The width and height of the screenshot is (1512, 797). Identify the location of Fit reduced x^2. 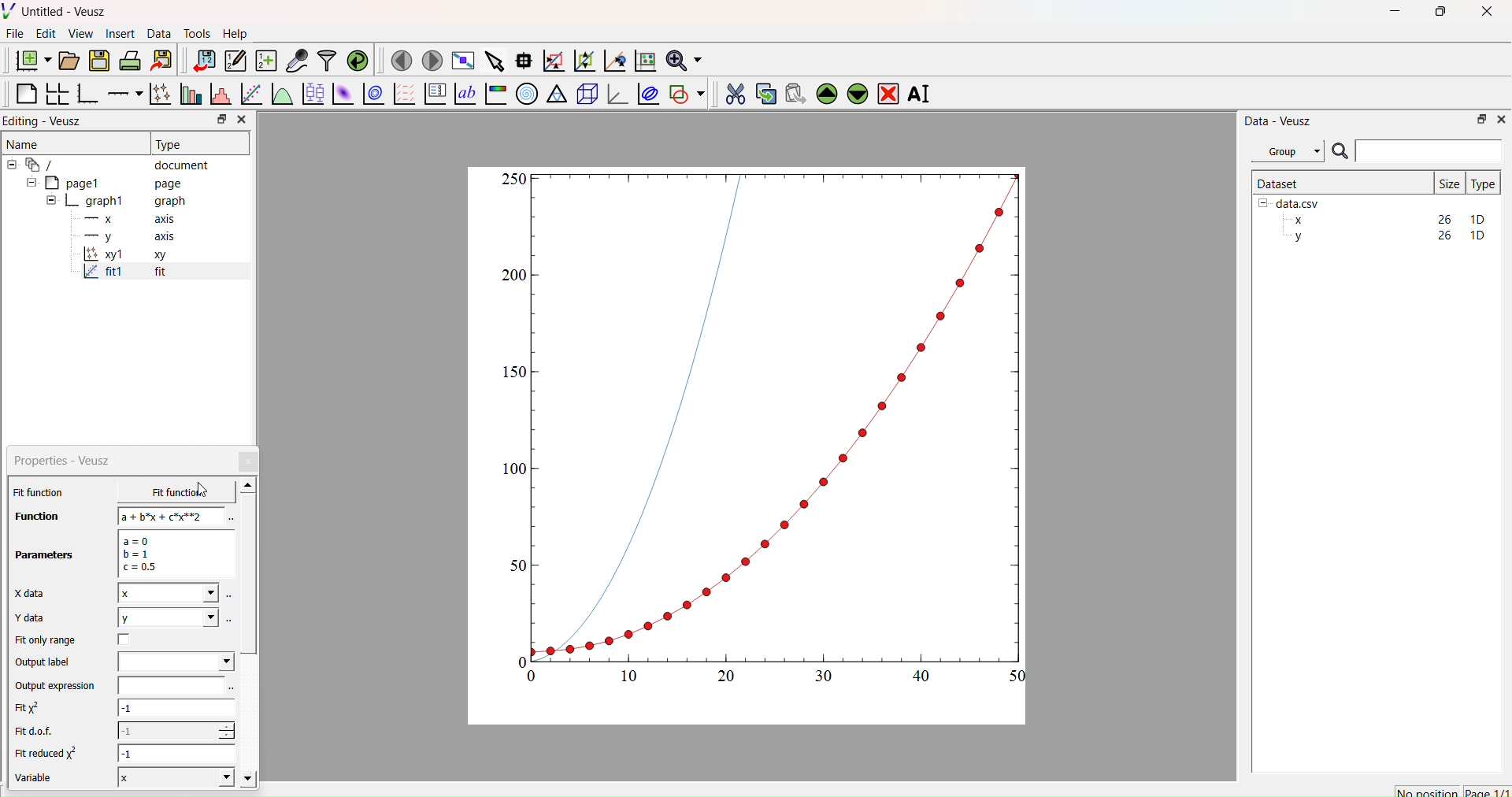
(49, 753).